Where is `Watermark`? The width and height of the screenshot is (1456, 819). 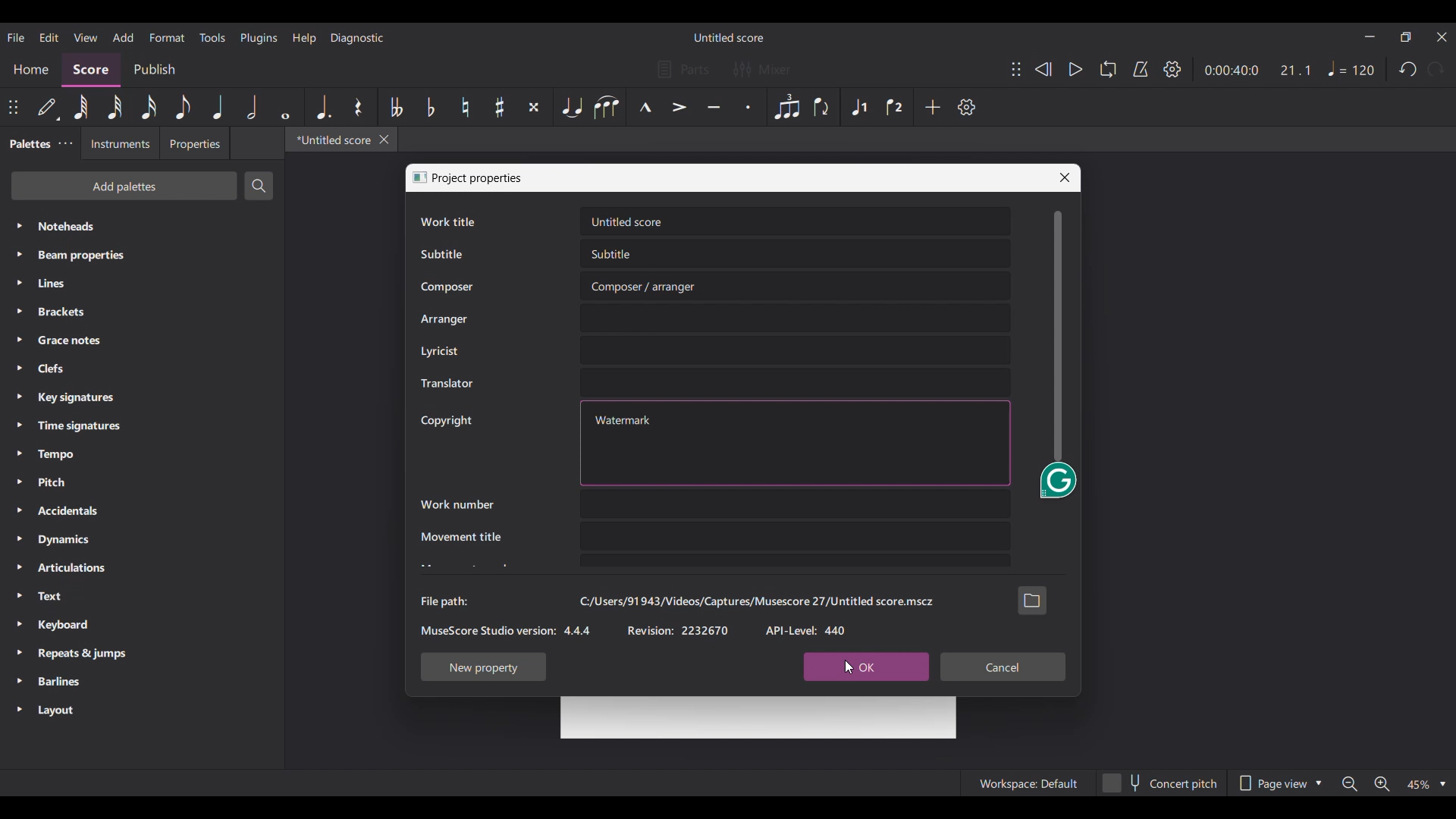 Watermark is located at coordinates (623, 419).